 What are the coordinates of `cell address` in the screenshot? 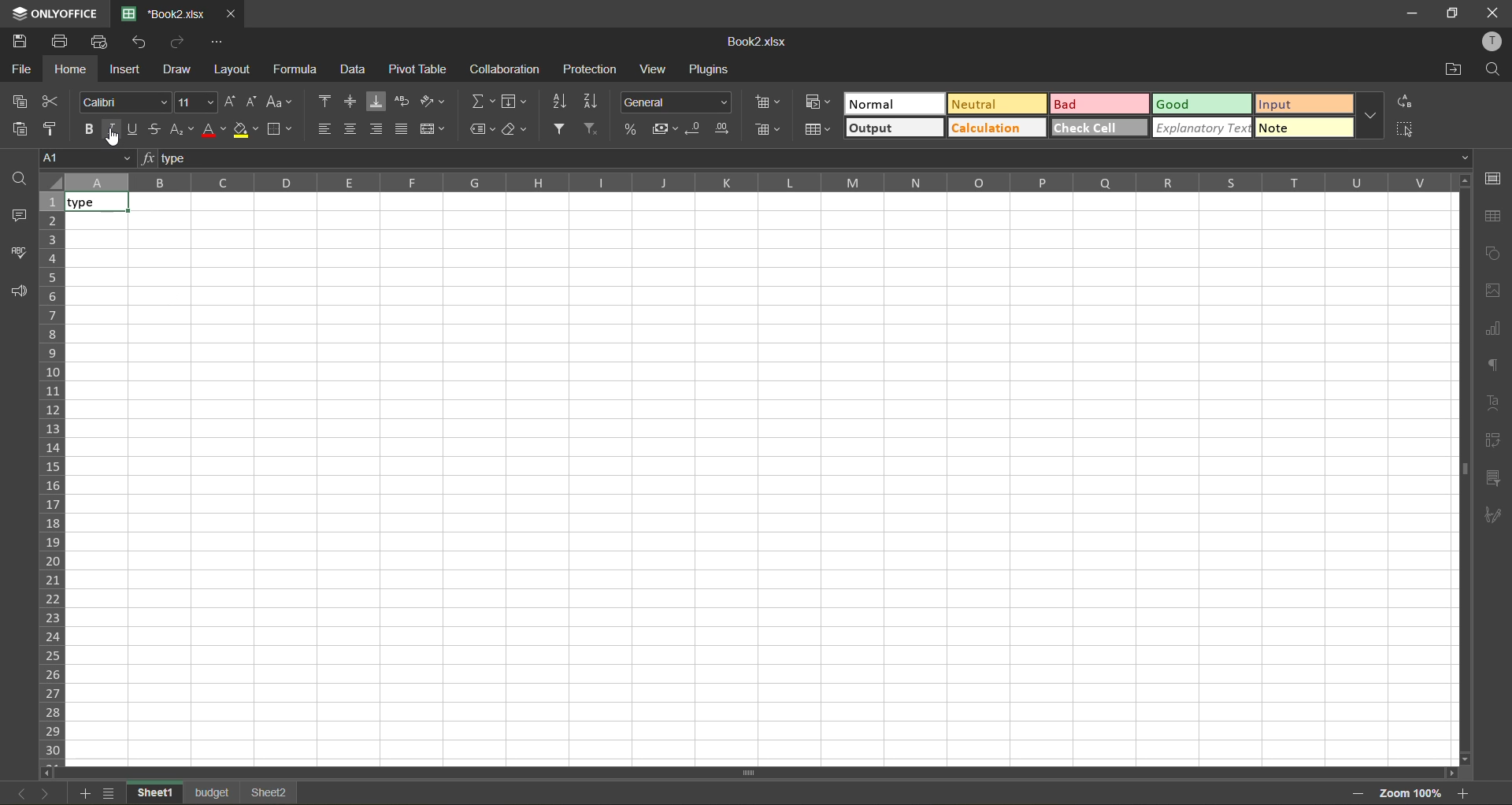 It's located at (79, 158).